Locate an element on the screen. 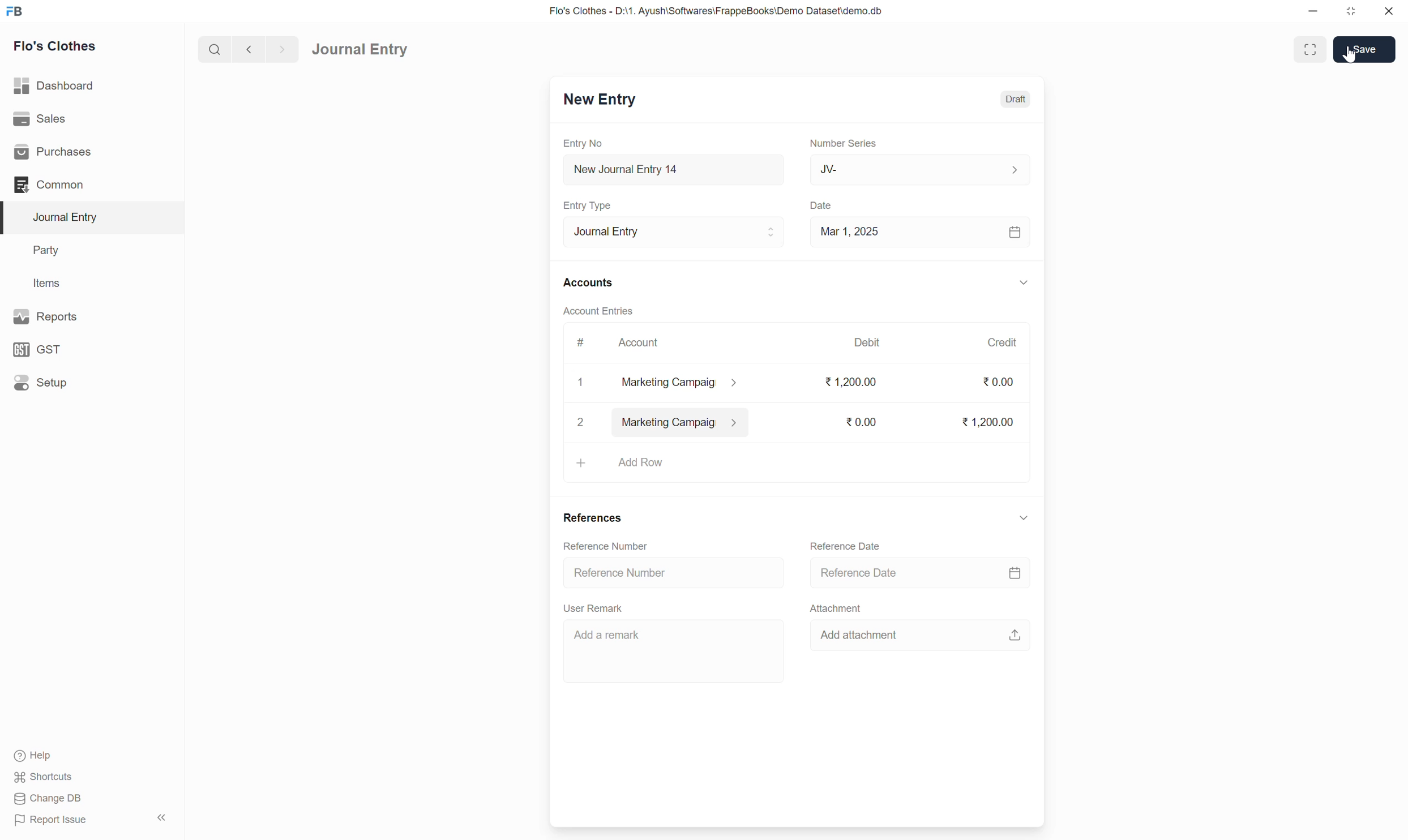 The image size is (1408, 840). Account Entries is located at coordinates (599, 310).